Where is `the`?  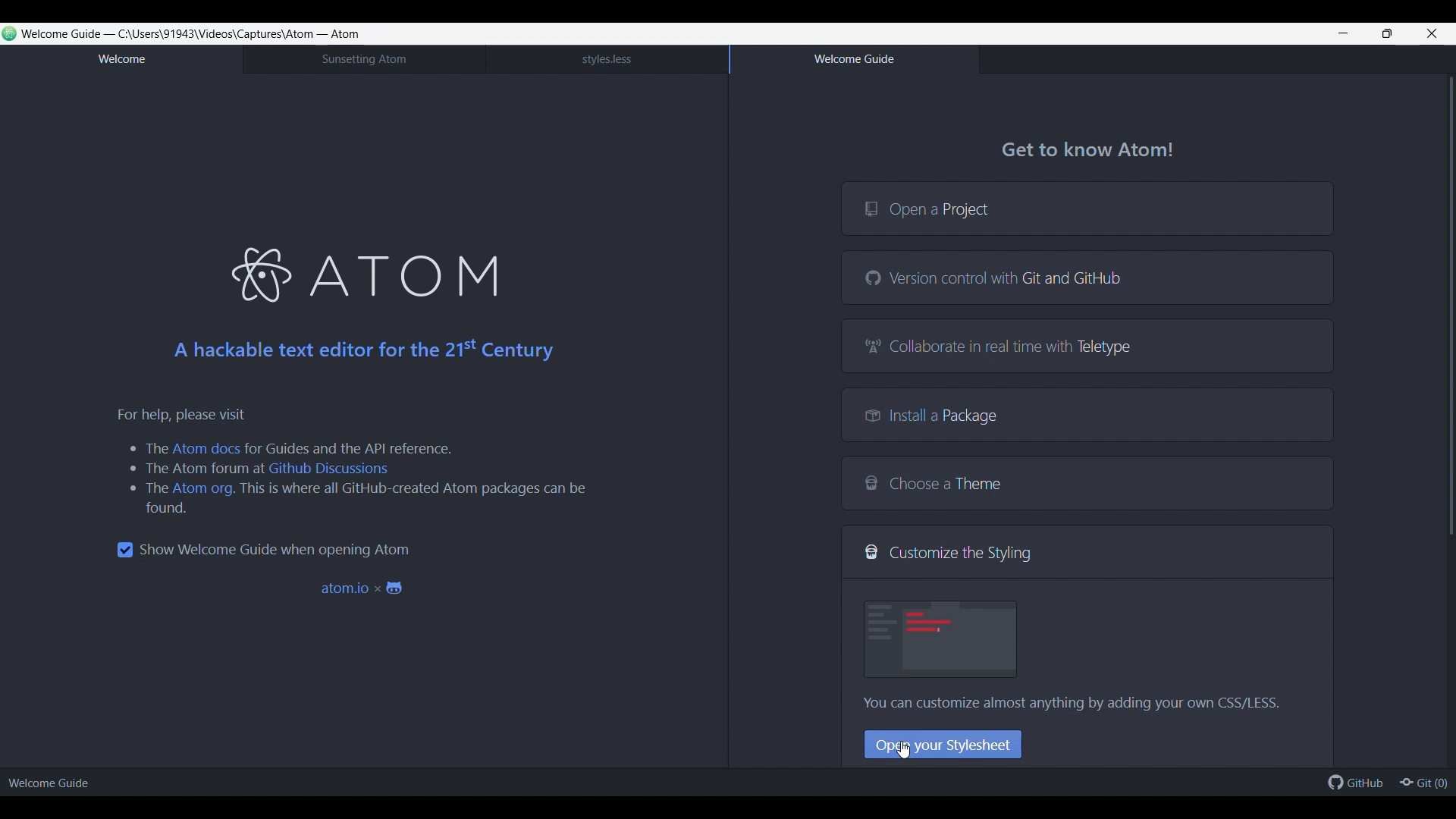 the is located at coordinates (145, 489).